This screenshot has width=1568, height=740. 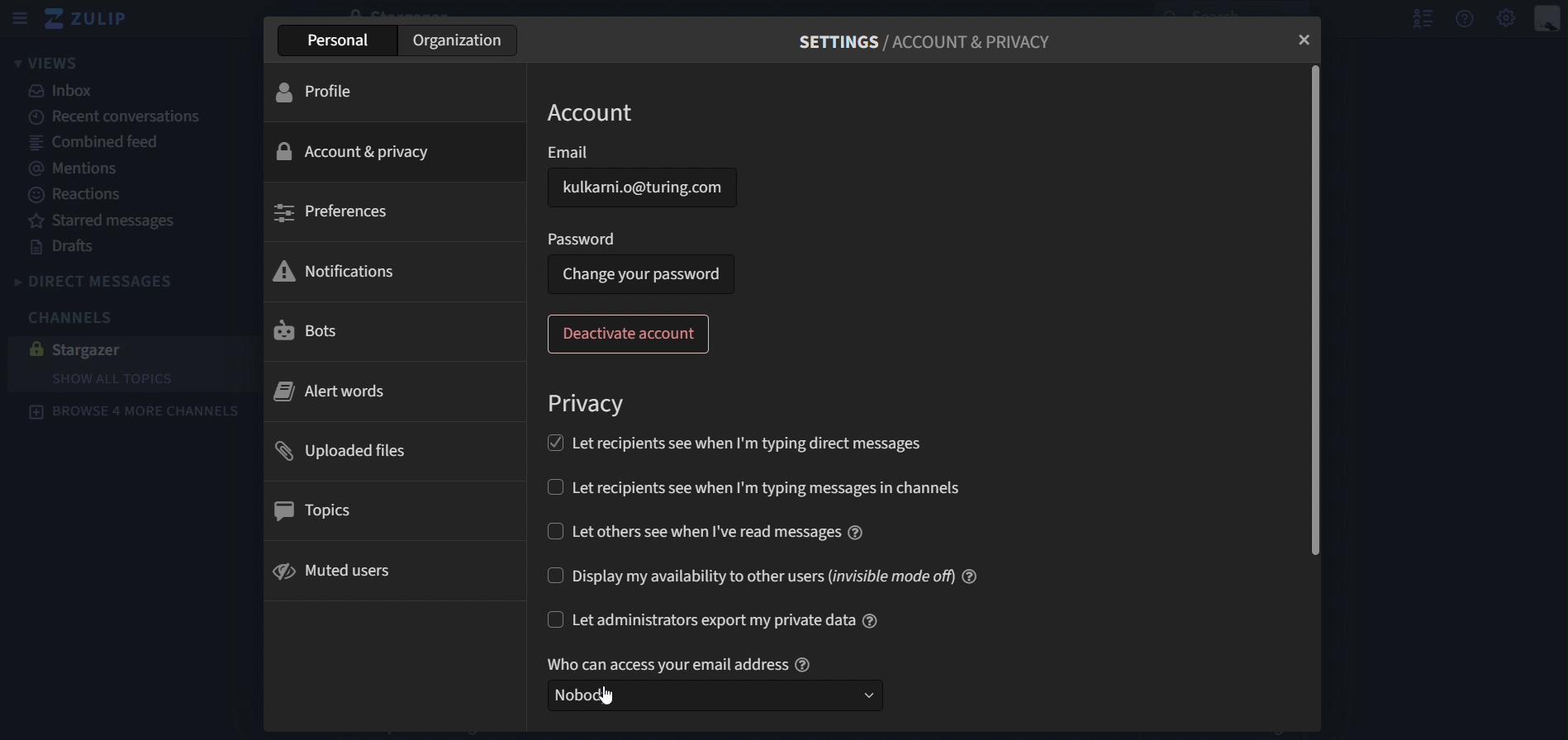 What do you see at coordinates (606, 700) in the screenshot?
I see `cursor` at bounding box center [606, 700].